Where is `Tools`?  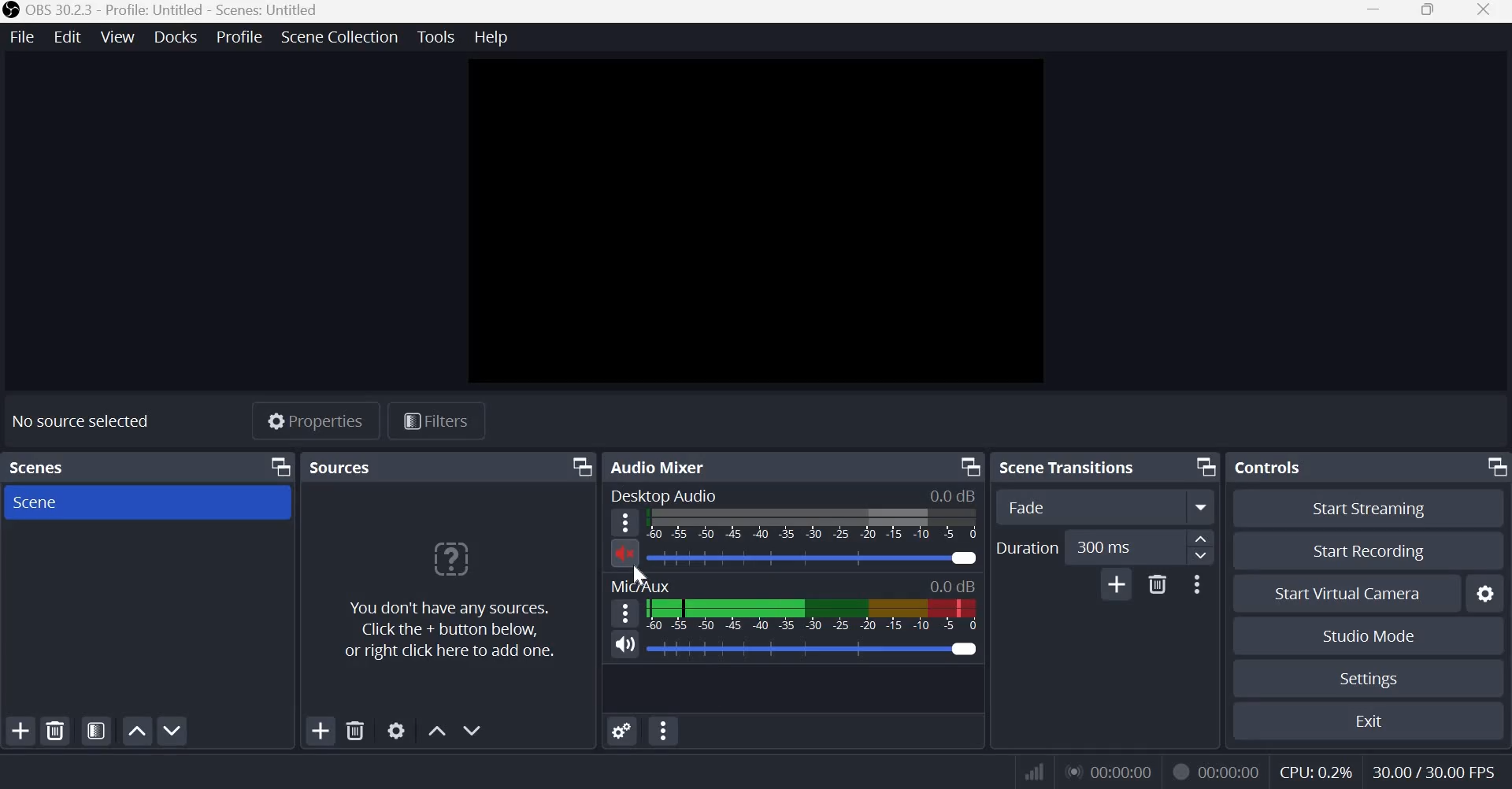 Tools is located at coordinates (435, 36).